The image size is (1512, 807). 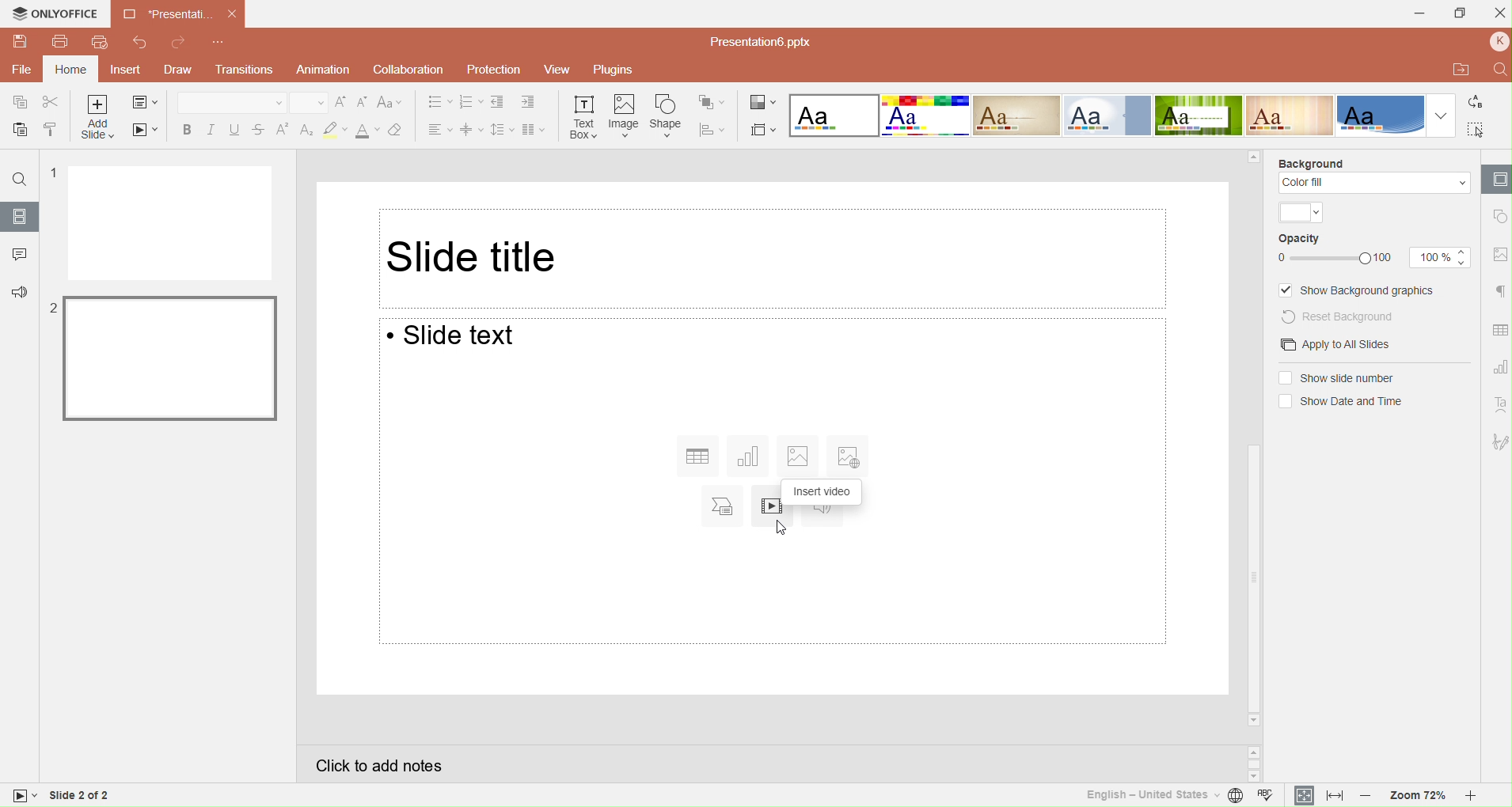 What do you see at coordinates (1357, 290) in the screenshot?
I see `Show background graphics` at bounding box center [1357, 290].